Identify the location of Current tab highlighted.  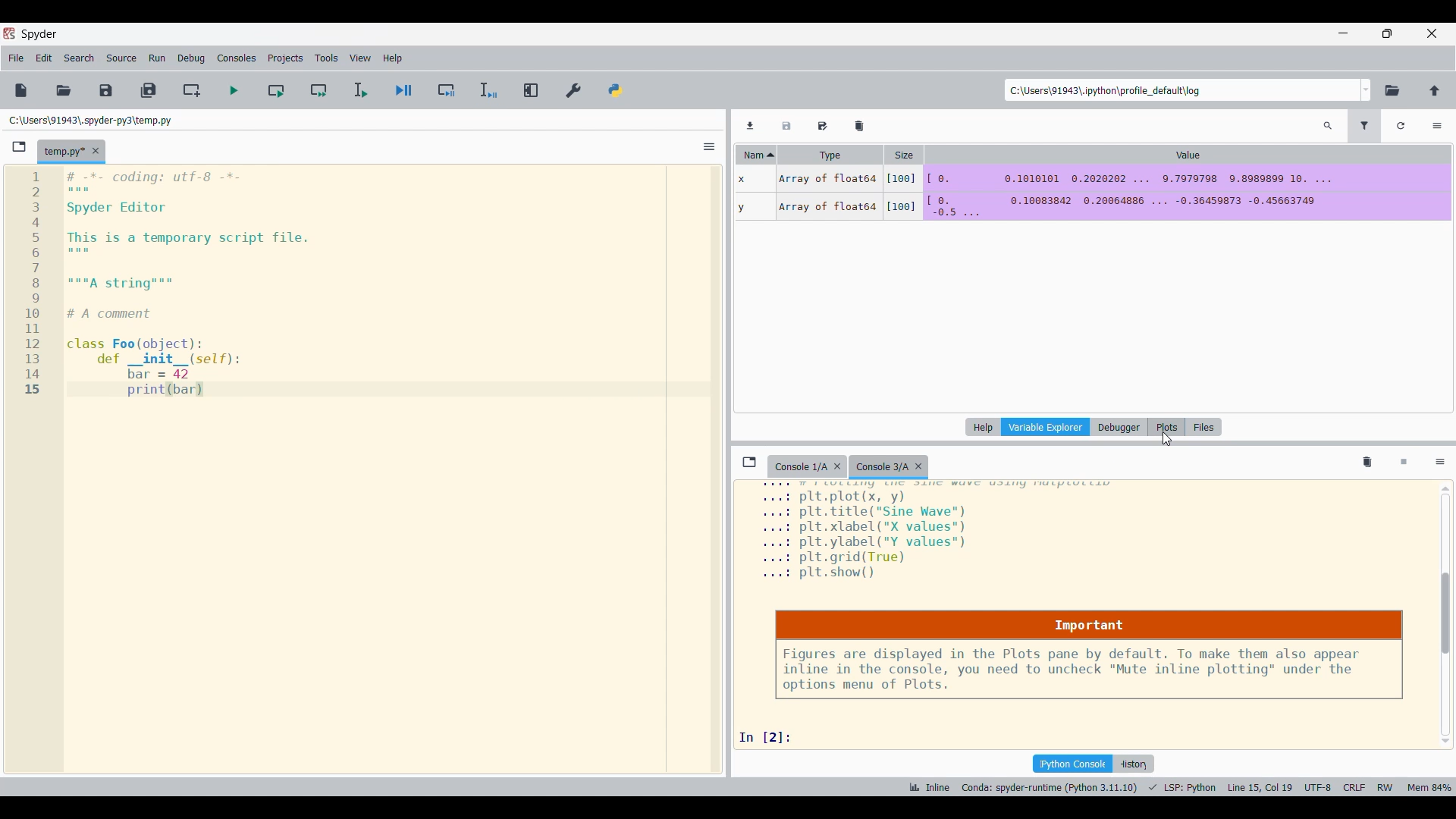
(891, 467).